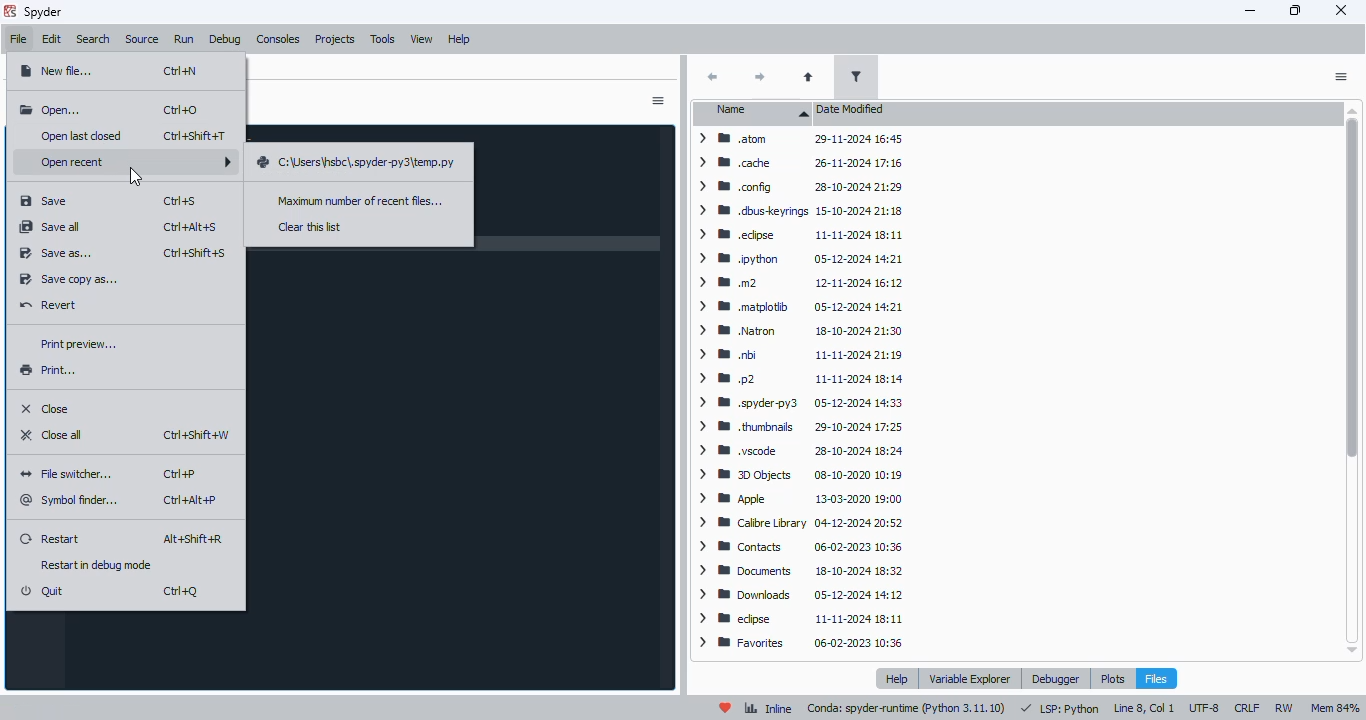 The image size is (1366, 720). I want to click on filter, so click(857, 76).